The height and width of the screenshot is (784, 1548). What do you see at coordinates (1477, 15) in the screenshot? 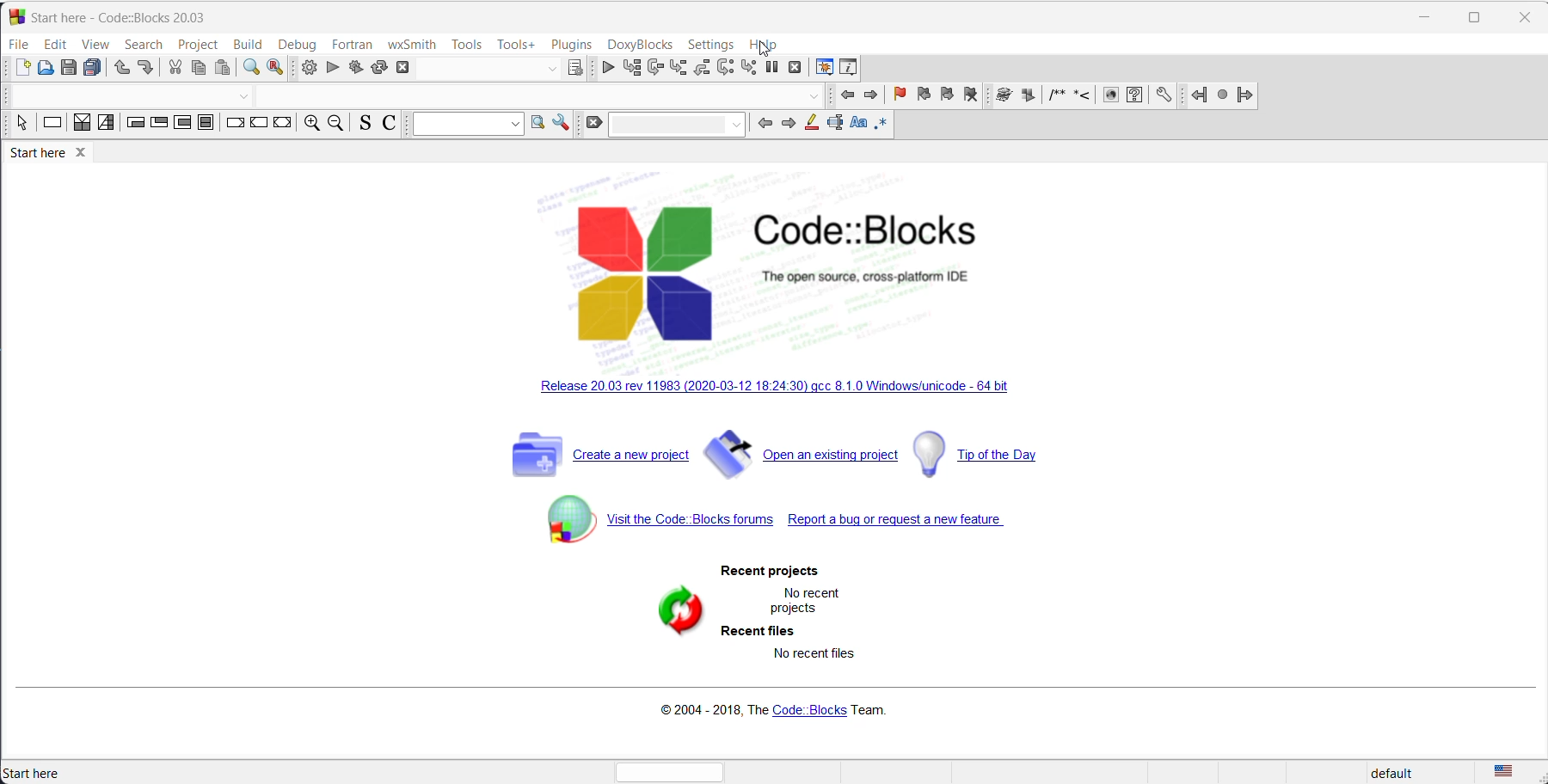
I see `maximize` at bounding box center [1477, 15].